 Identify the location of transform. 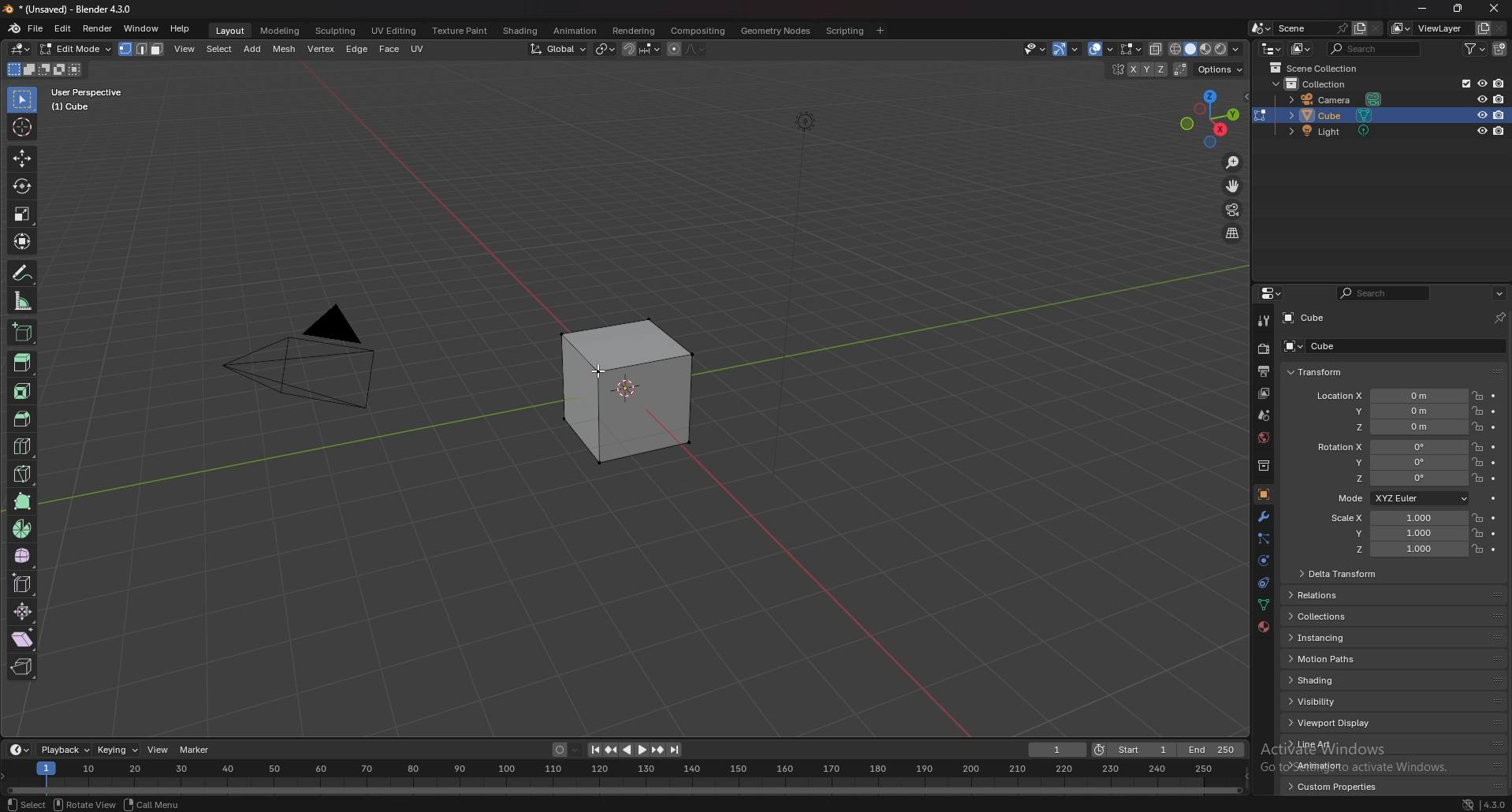
(23, 242).